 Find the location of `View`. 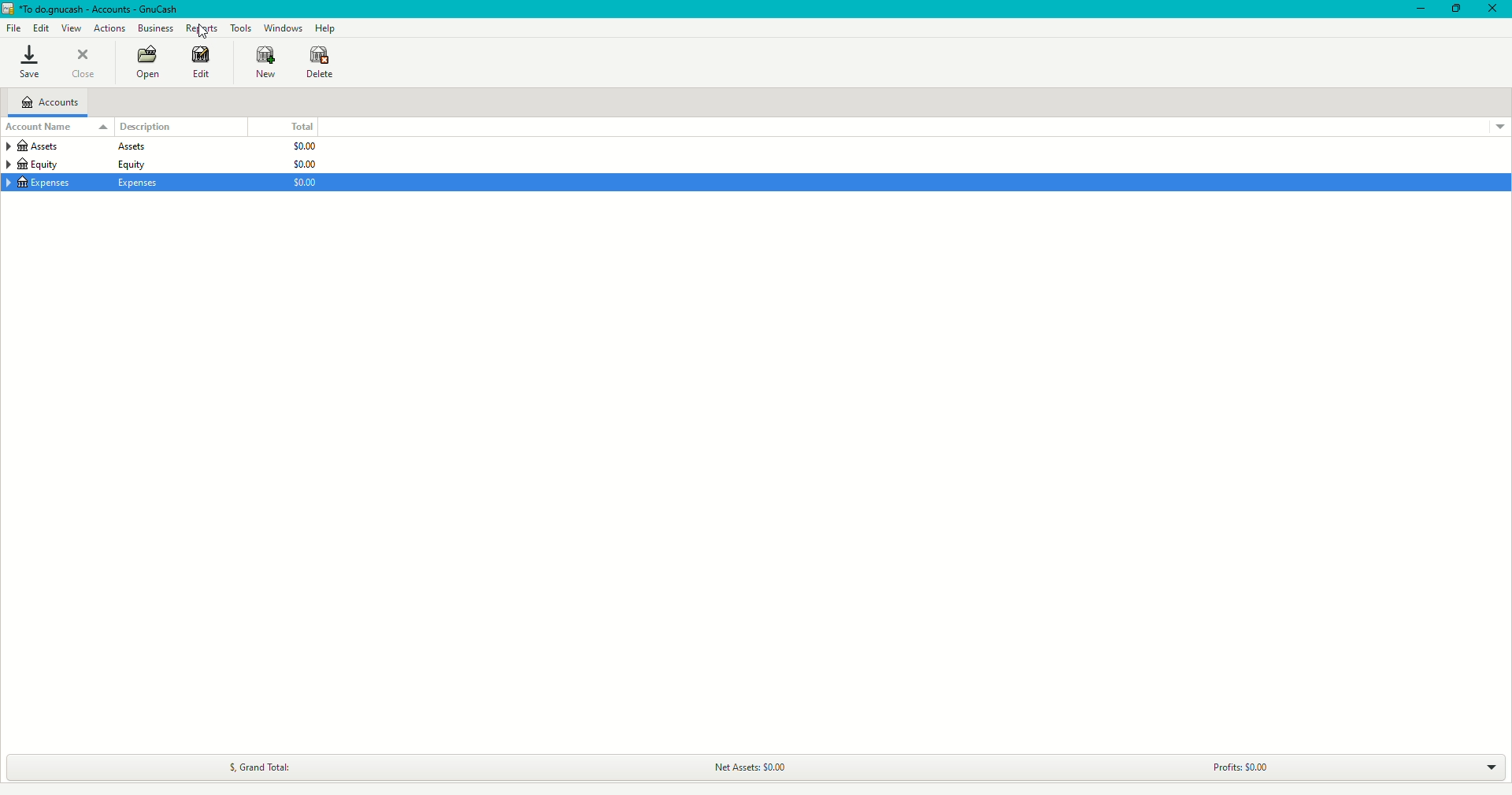

View is located at coordinates (72, 29).